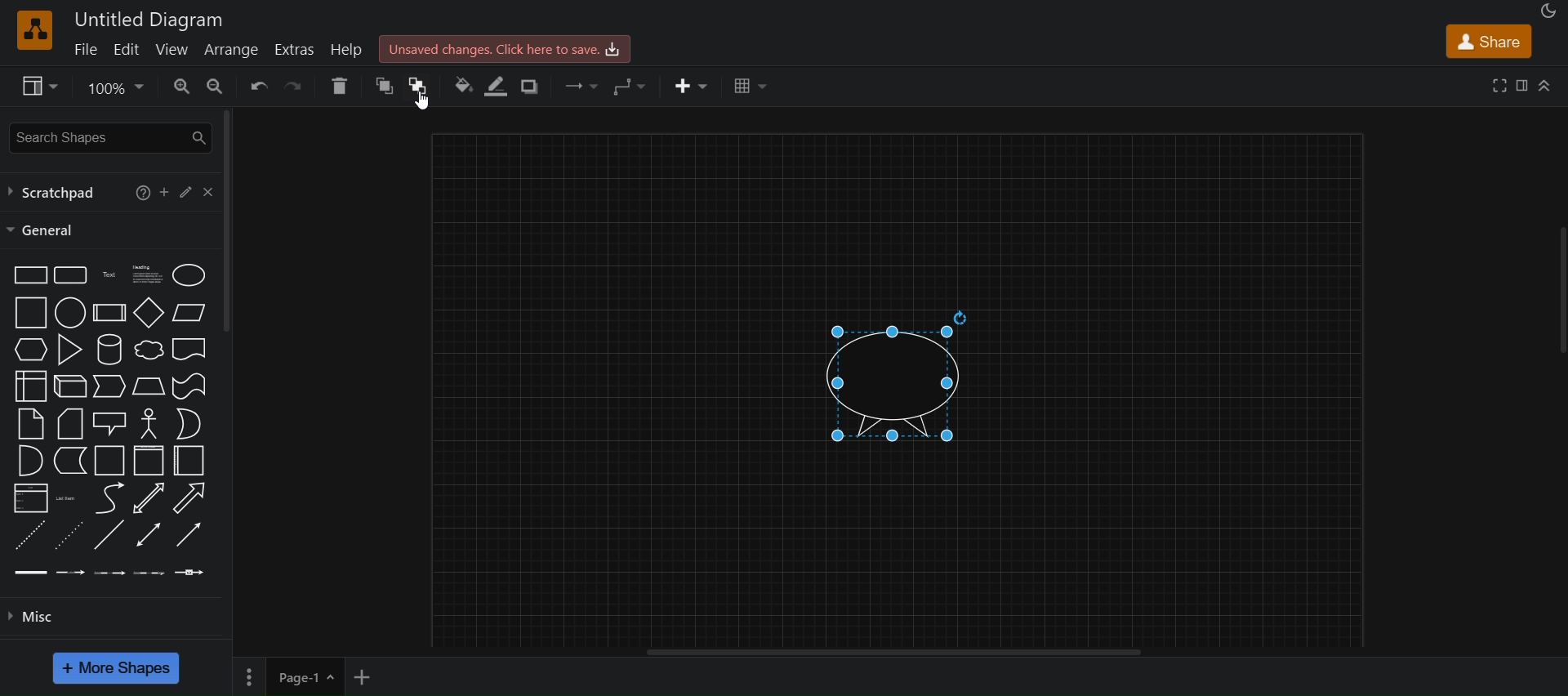 The height and width of the screenshot is (696, 1568). I want to click on fill color, so click(462, 87).